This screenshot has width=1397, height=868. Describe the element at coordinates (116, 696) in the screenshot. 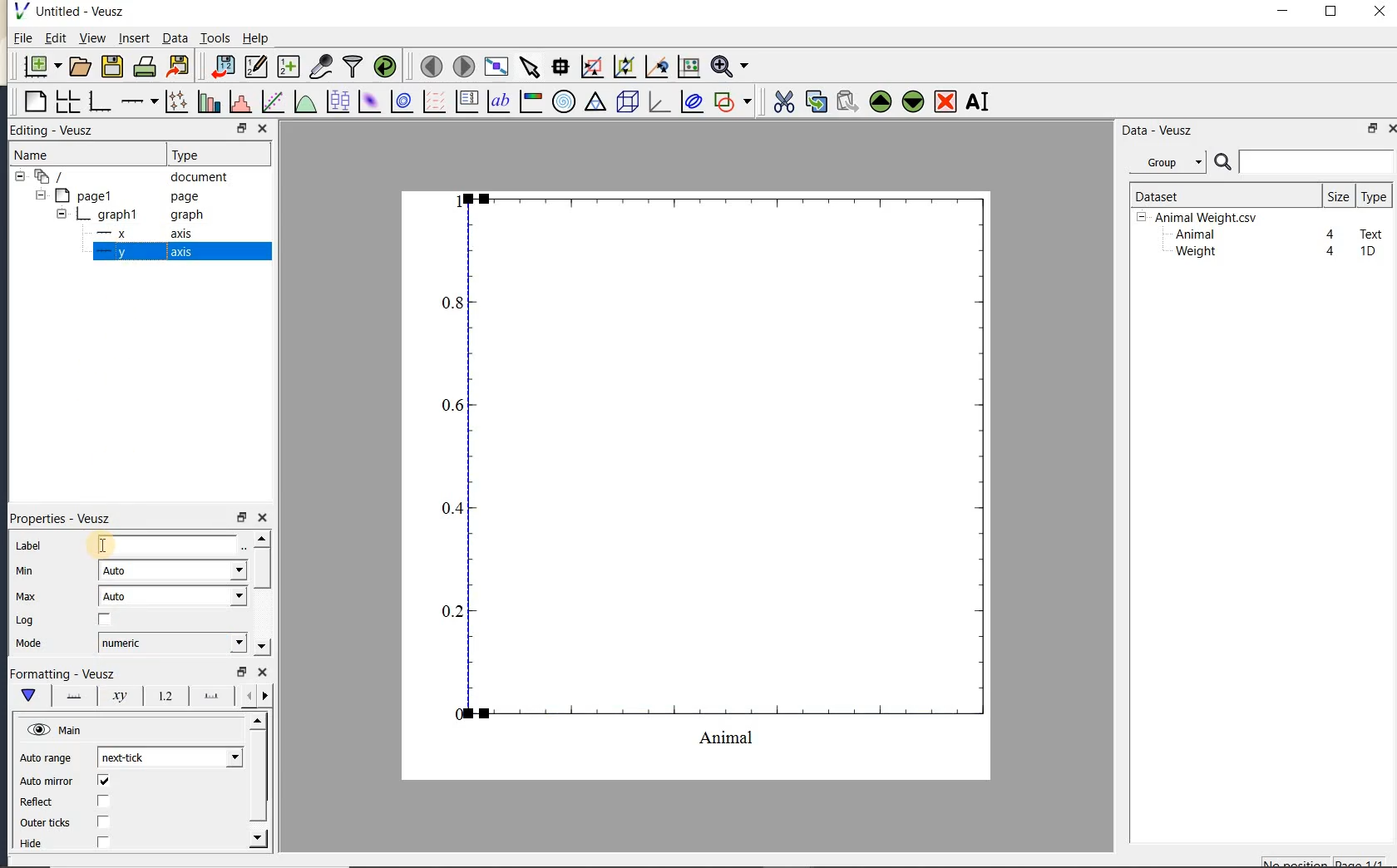

I see `axis label` at that location.